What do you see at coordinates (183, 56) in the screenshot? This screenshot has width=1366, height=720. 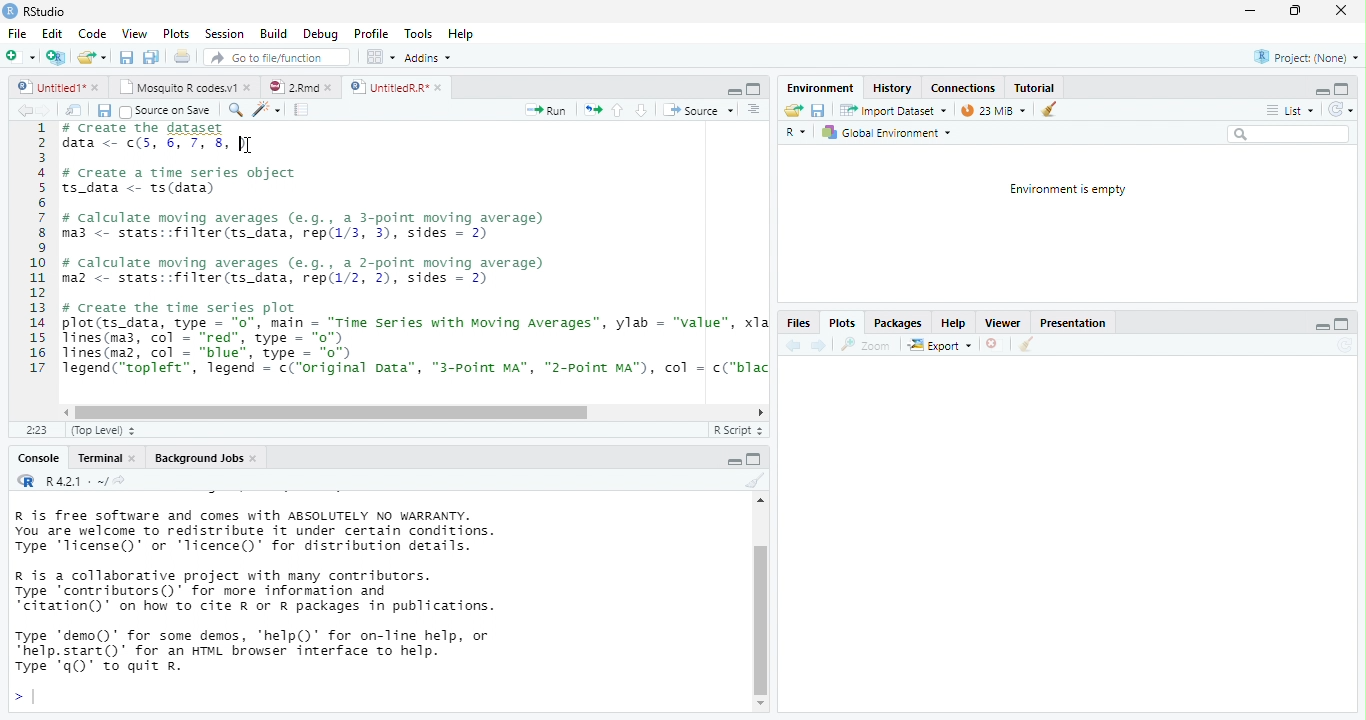 I see `print current file` at bounding box center [183, 56].